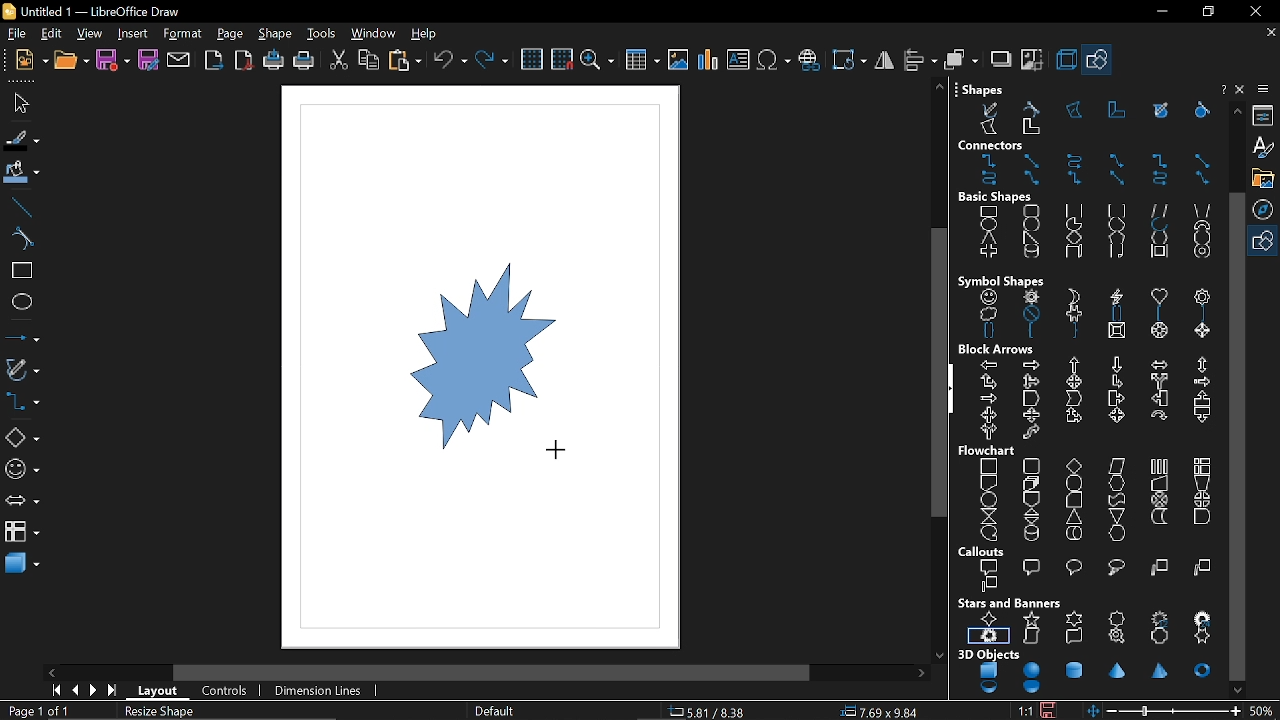  Describe the element at coordinates (496, 710) in the screenshot. I see `Page style` at that location.